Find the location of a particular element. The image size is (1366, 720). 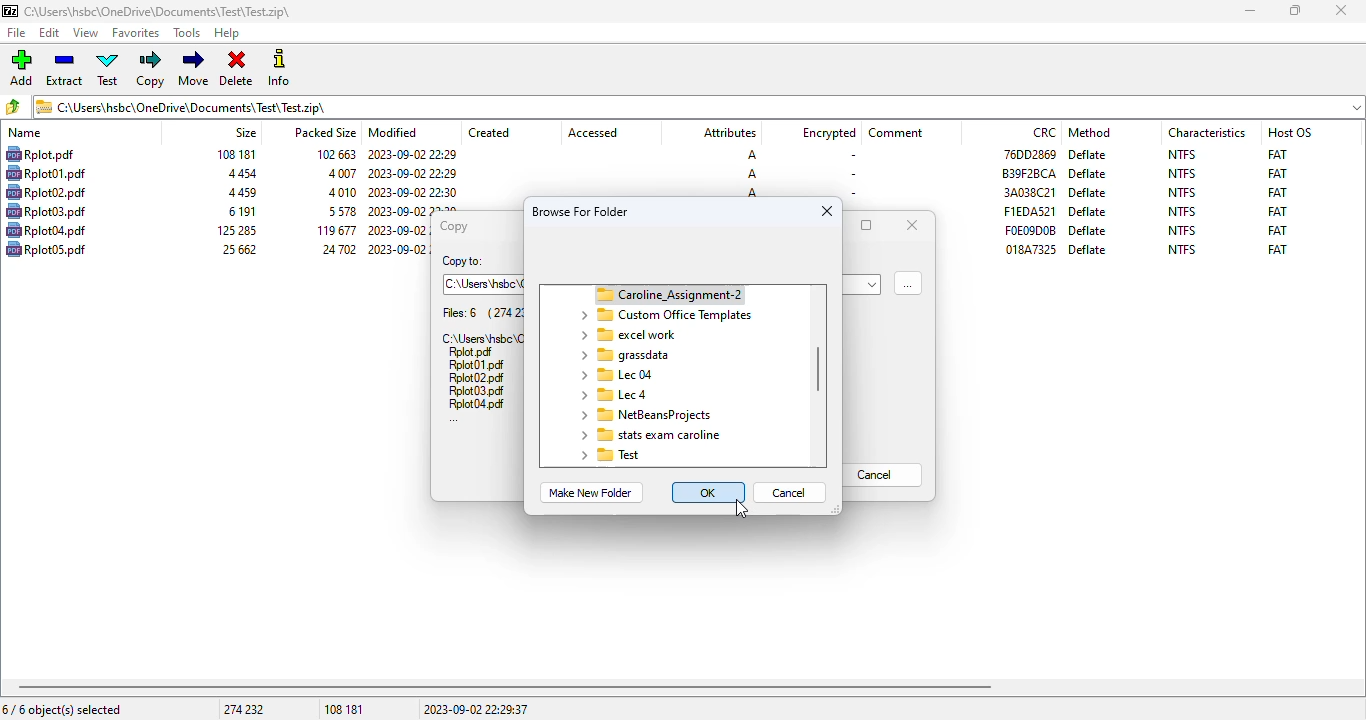

file is located at coordinates (471, 353).